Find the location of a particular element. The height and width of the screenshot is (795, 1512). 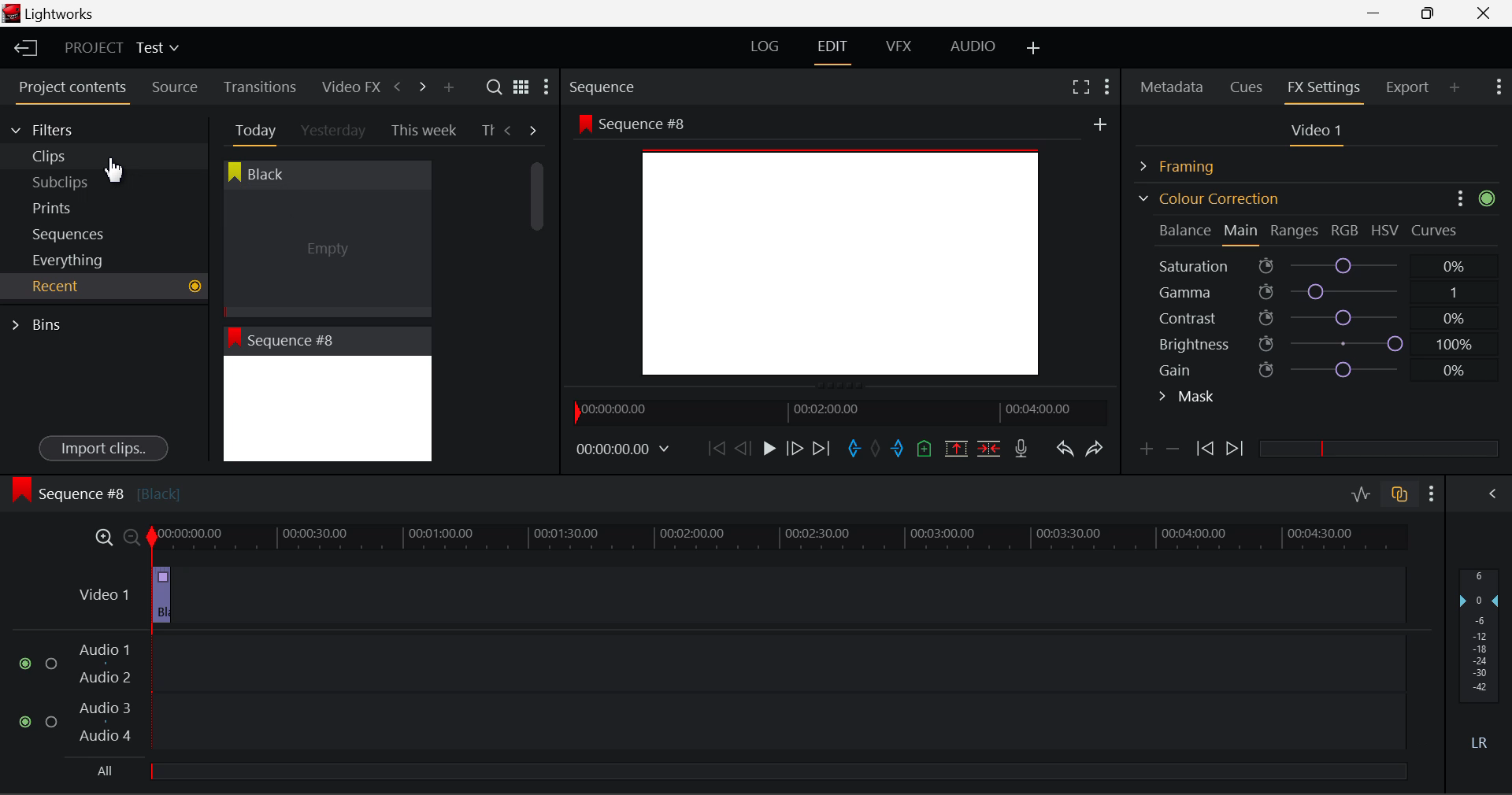

Add Panel is located at coordinates (448, 88).